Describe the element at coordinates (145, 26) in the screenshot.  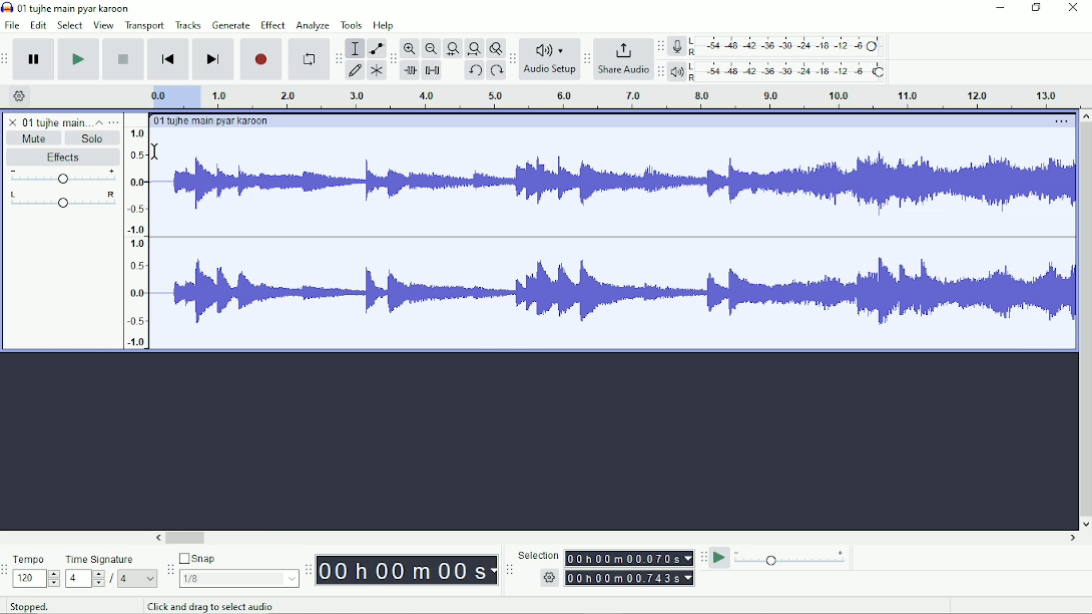
I see `Transport` at that location.